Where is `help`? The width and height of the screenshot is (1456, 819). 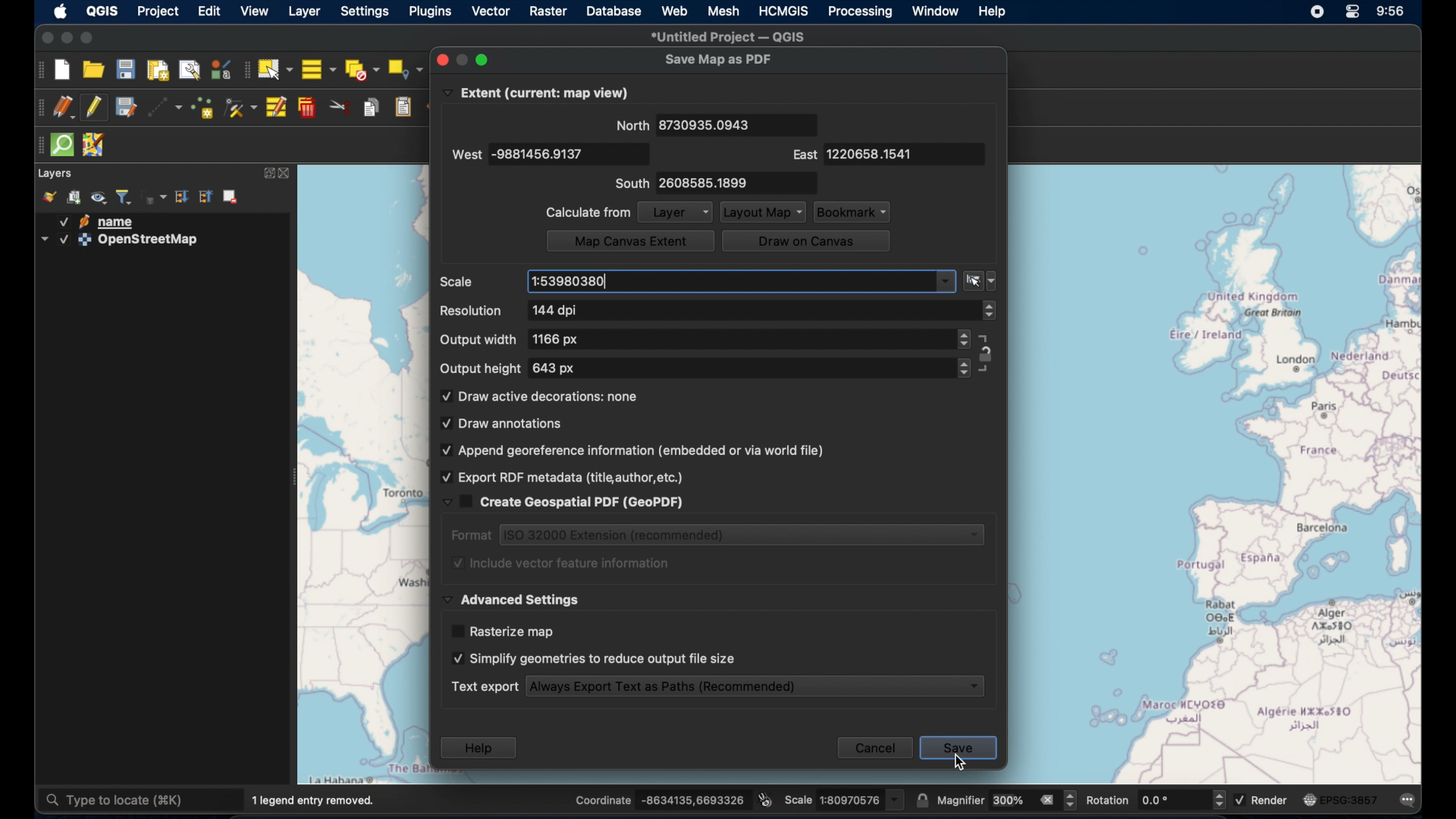
help is located at coordinates (994, 12).